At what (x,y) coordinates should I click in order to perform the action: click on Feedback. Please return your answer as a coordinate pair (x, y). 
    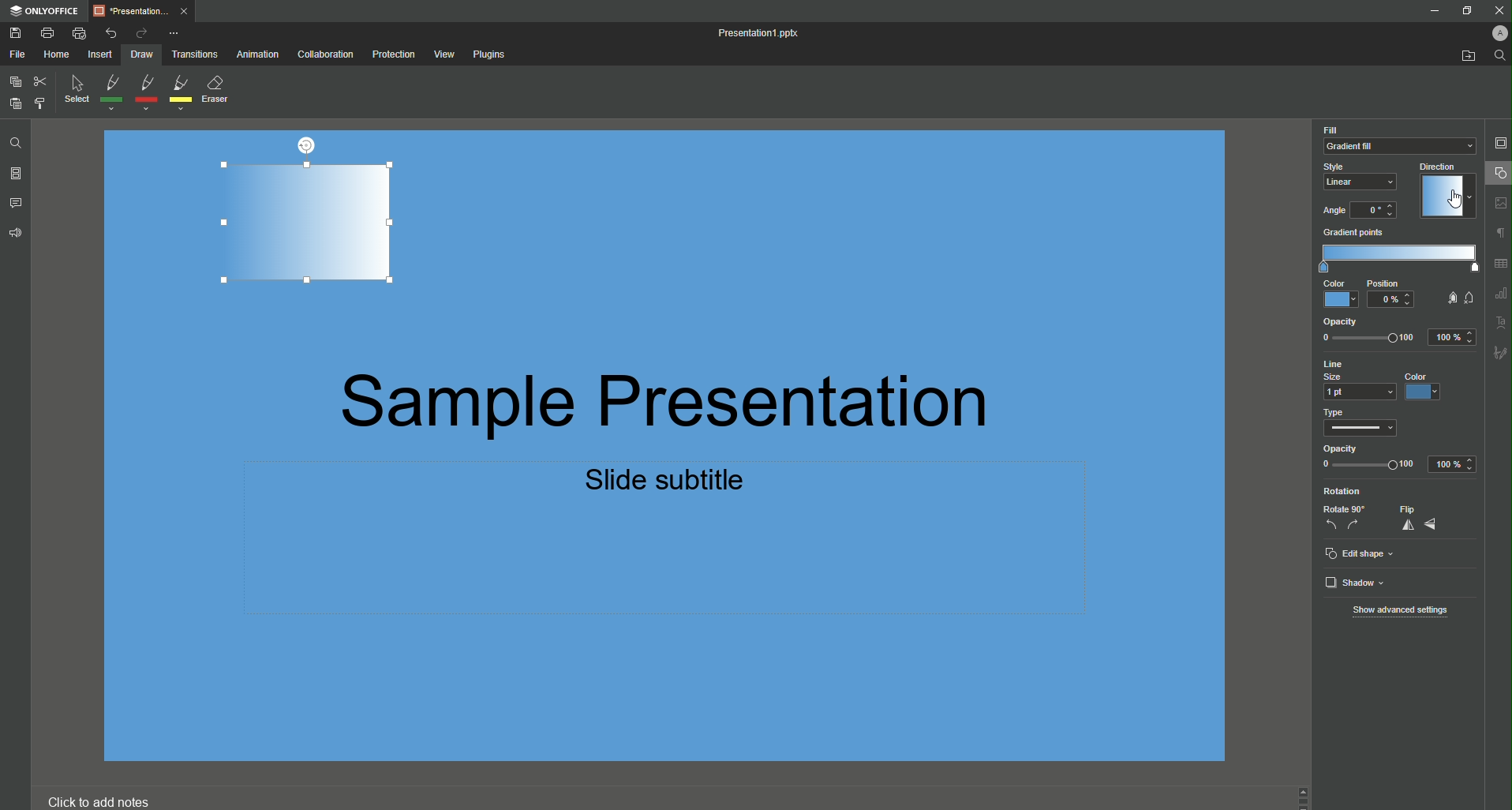
    Looking at the image, I should click on (15, 236).